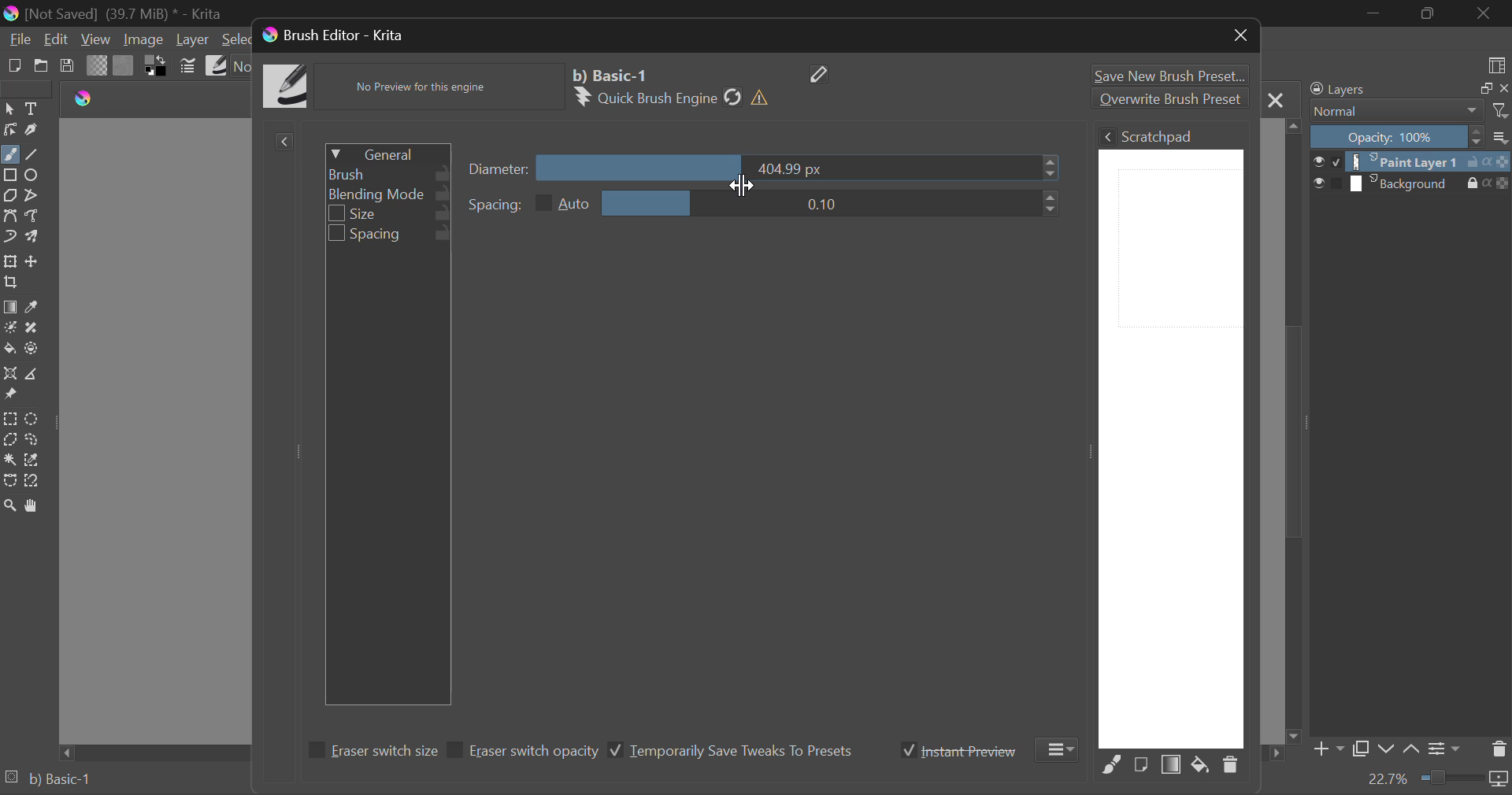  Describe the element at coordinates (1230, 768) in the screenshot. I see `Delete` at that location.